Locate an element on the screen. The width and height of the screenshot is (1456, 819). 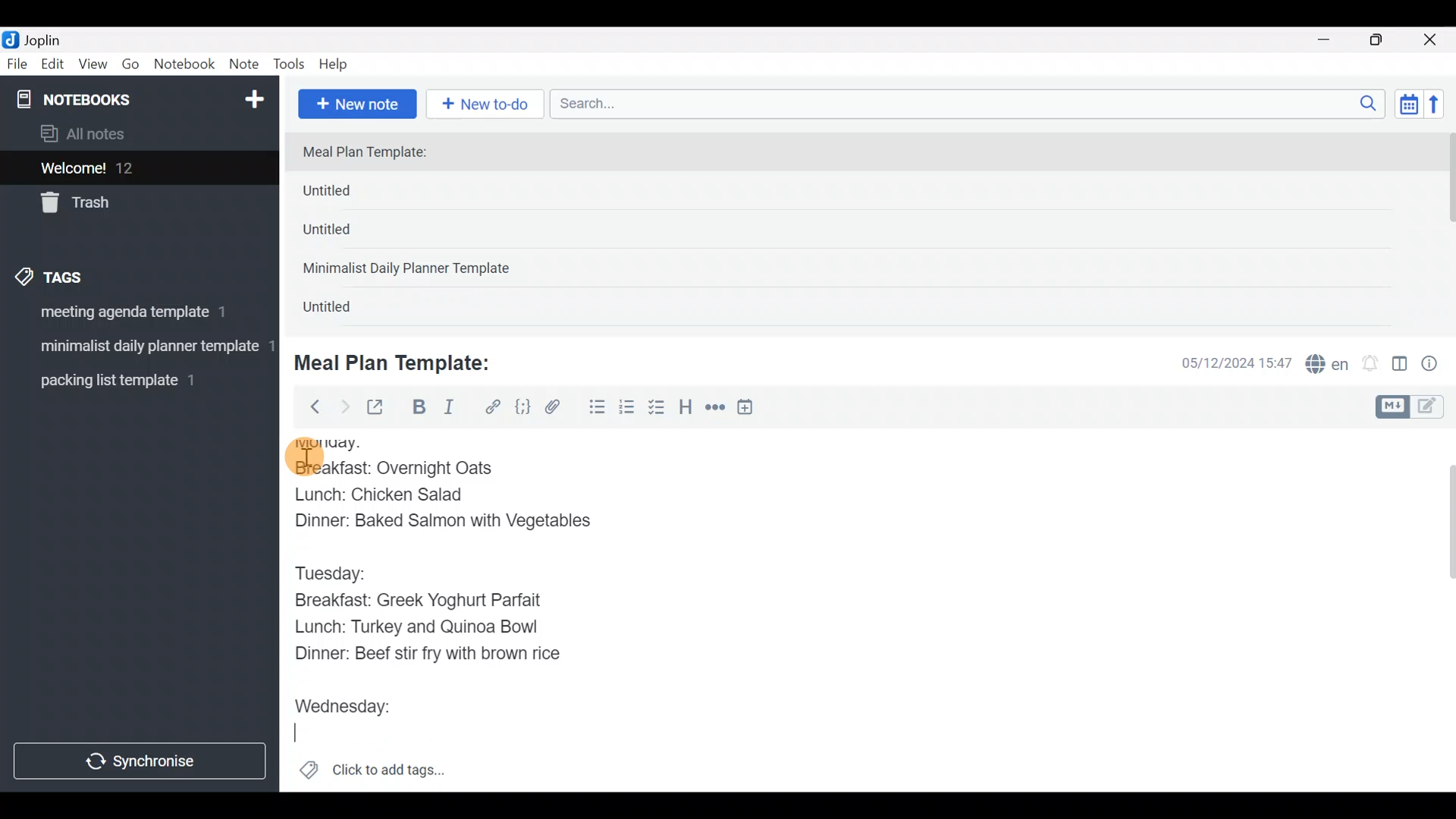
Insert time is located at coordinates (752, 409).